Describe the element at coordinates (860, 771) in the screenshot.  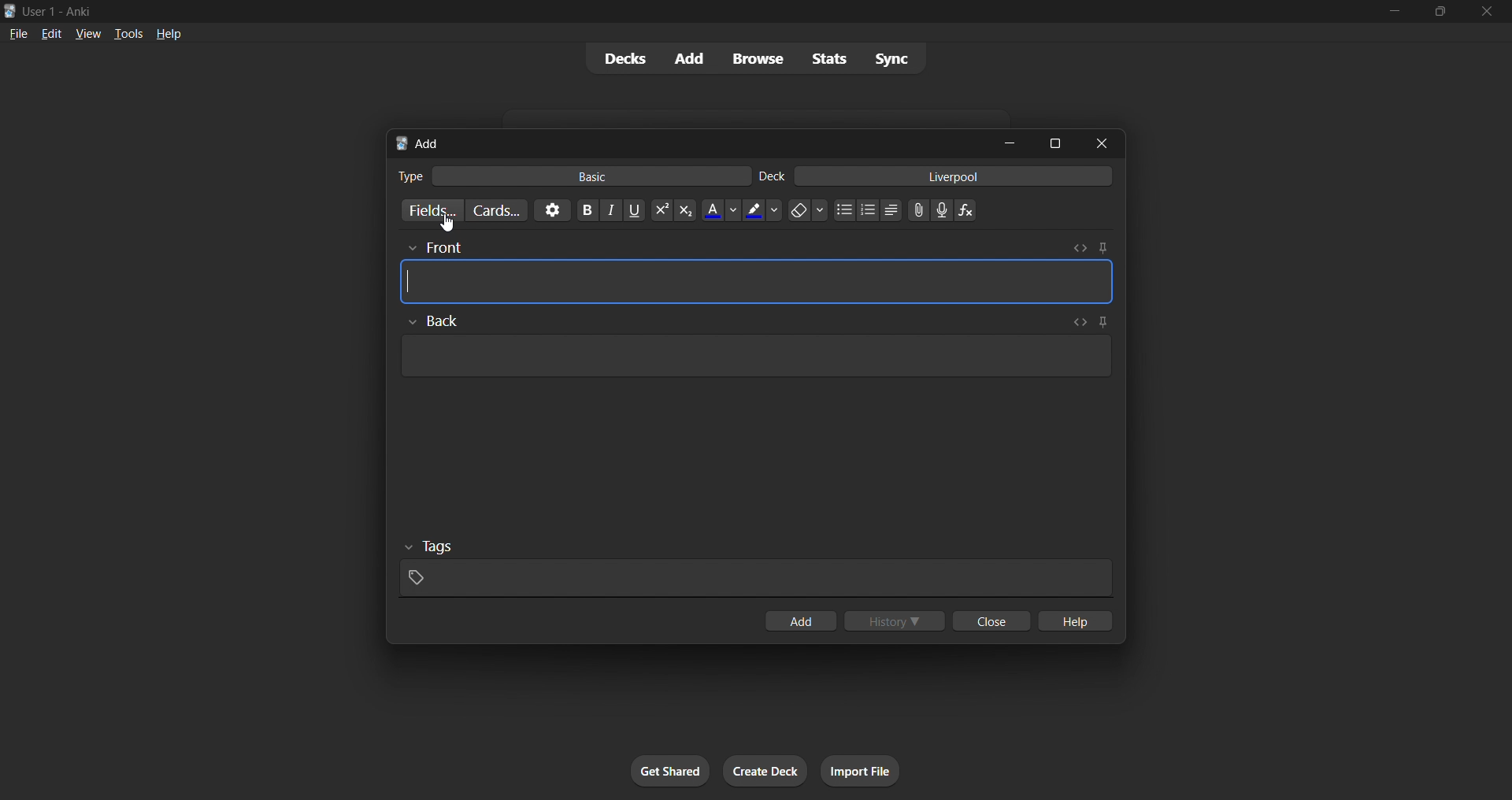
I see `import file` at that location.